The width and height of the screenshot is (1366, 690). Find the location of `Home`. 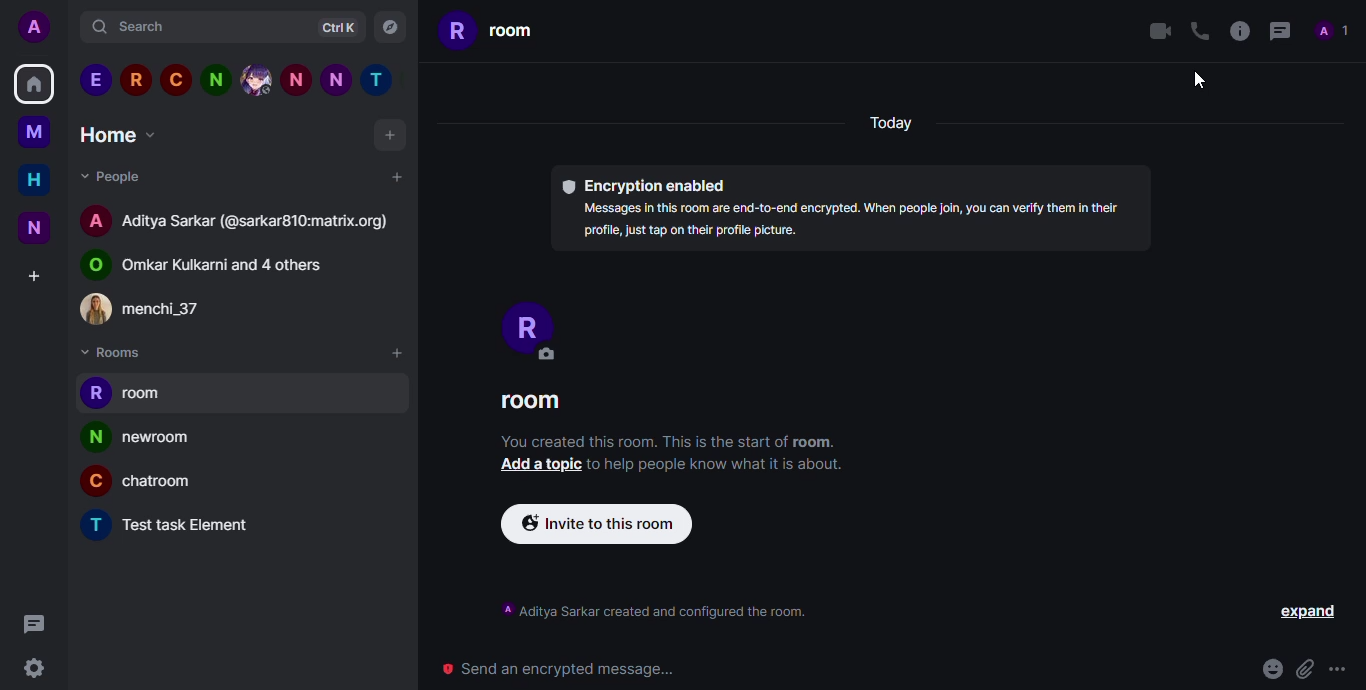

Home is located at coordinates (32, 179).